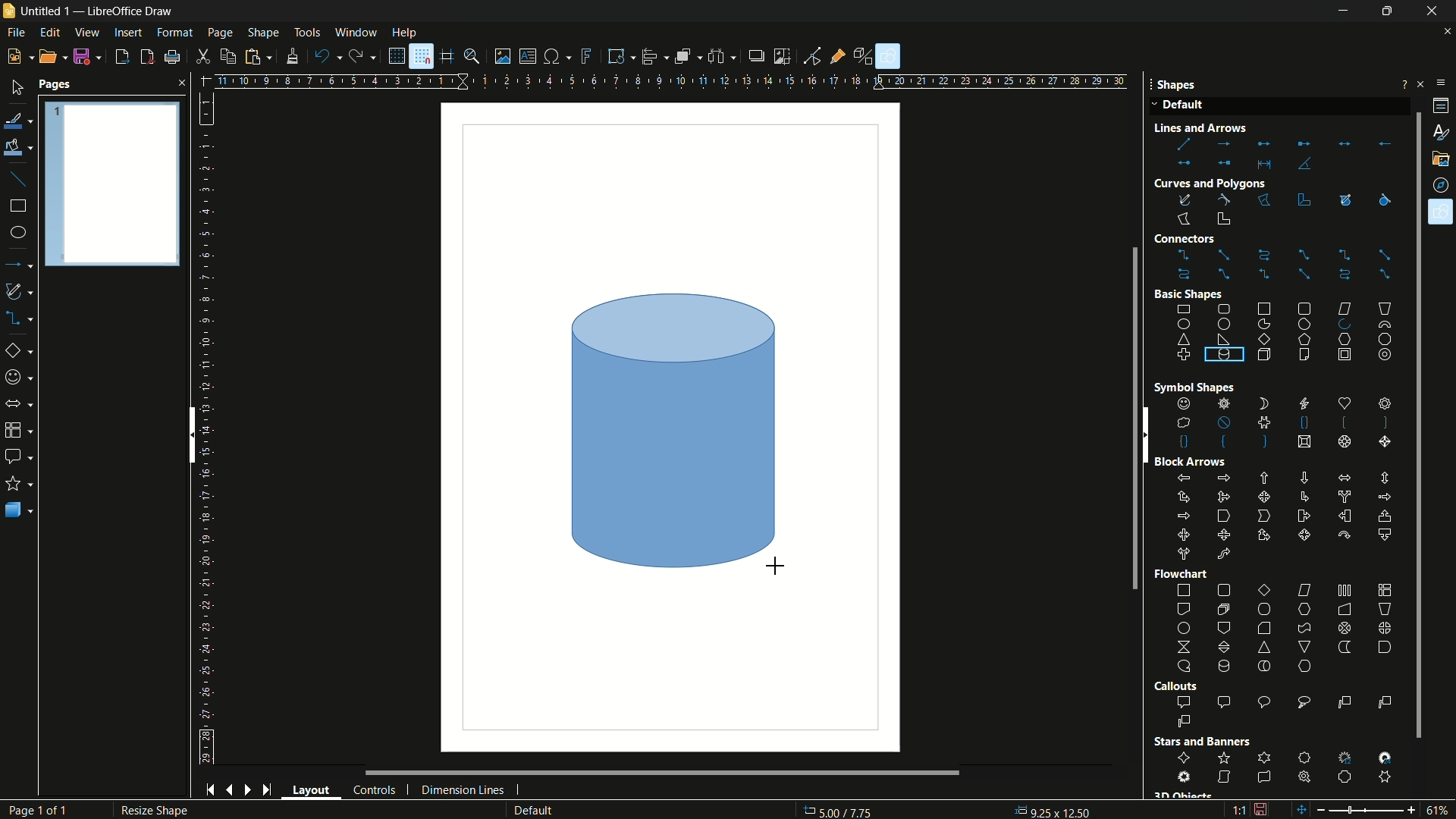 Image resolution: width=1456 pixels, height=819 pixels. I want to click on properties, so click(1441, 106).